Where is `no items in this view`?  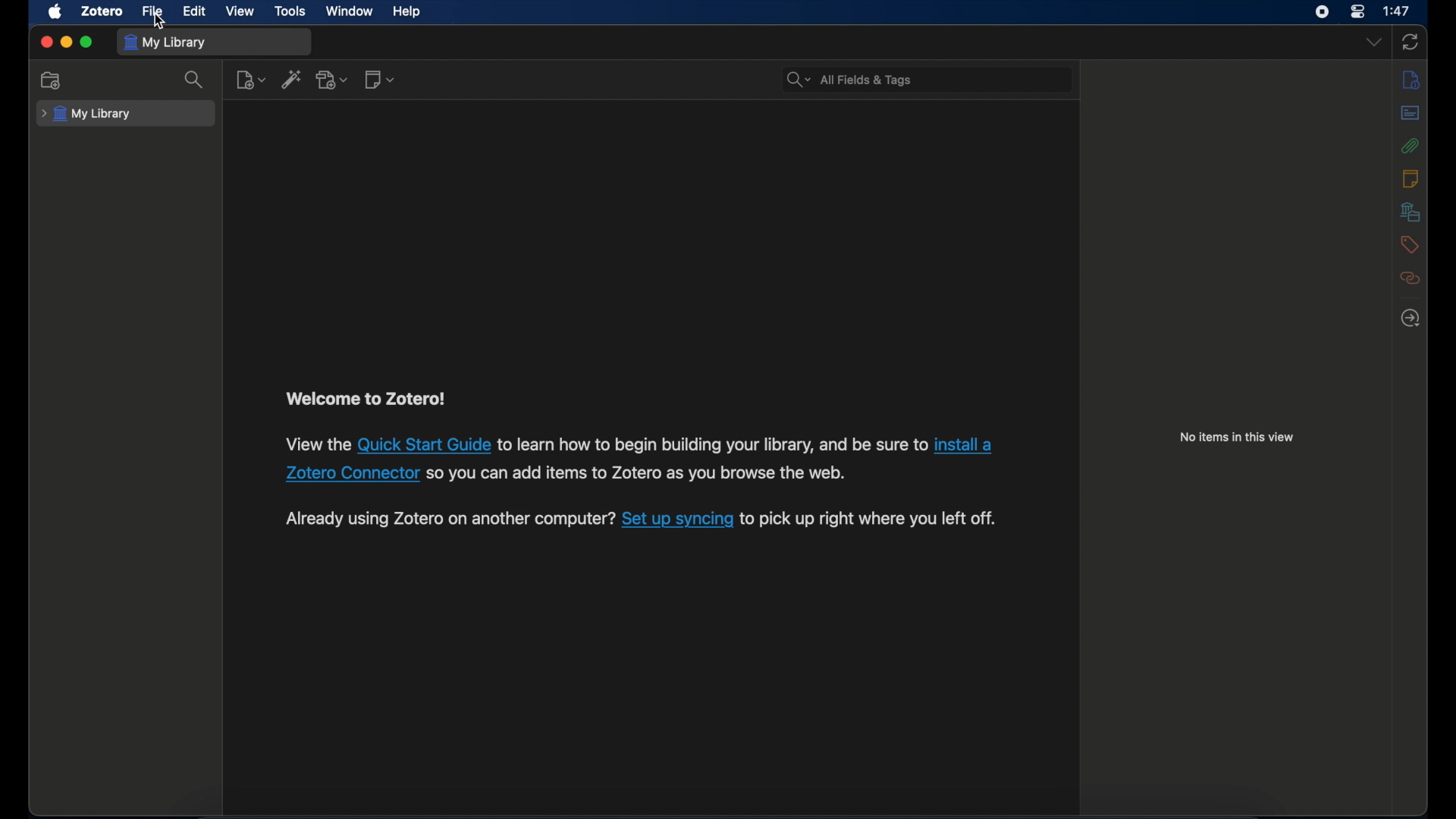
no items in this view is located at coordinates (1238, 437).